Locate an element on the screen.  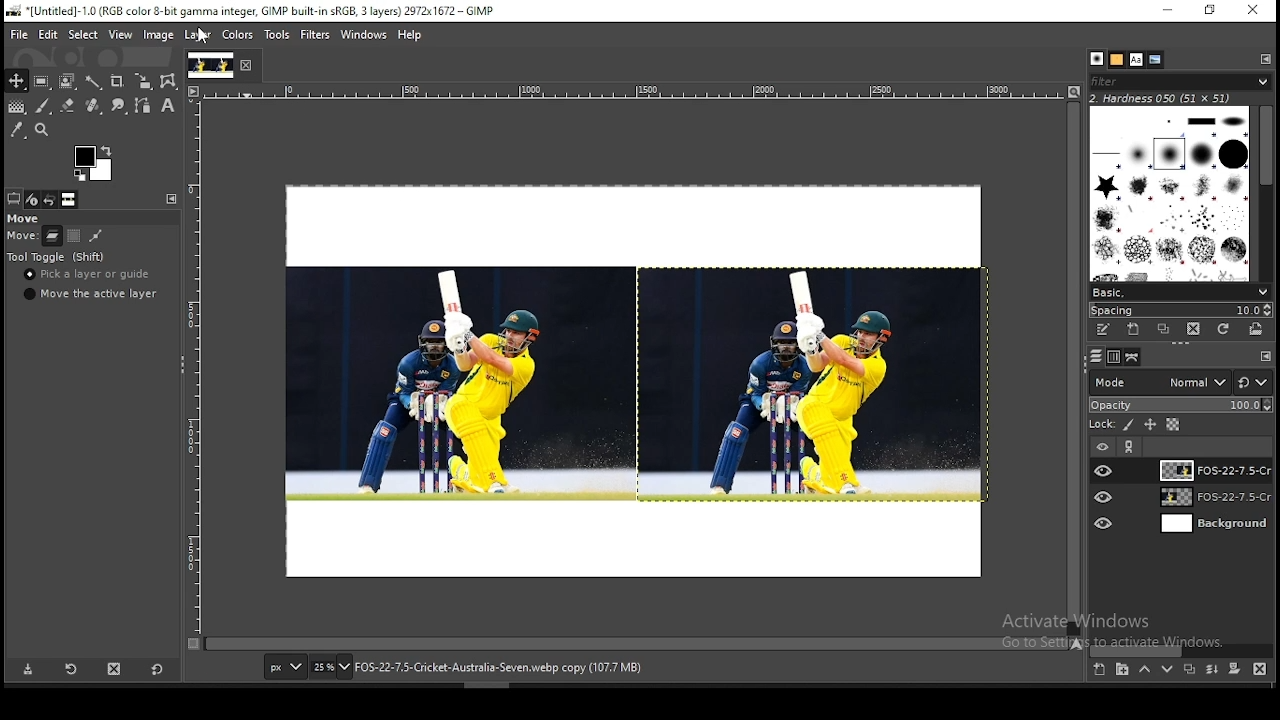
zoom tool is located at coordinates (44, 129).